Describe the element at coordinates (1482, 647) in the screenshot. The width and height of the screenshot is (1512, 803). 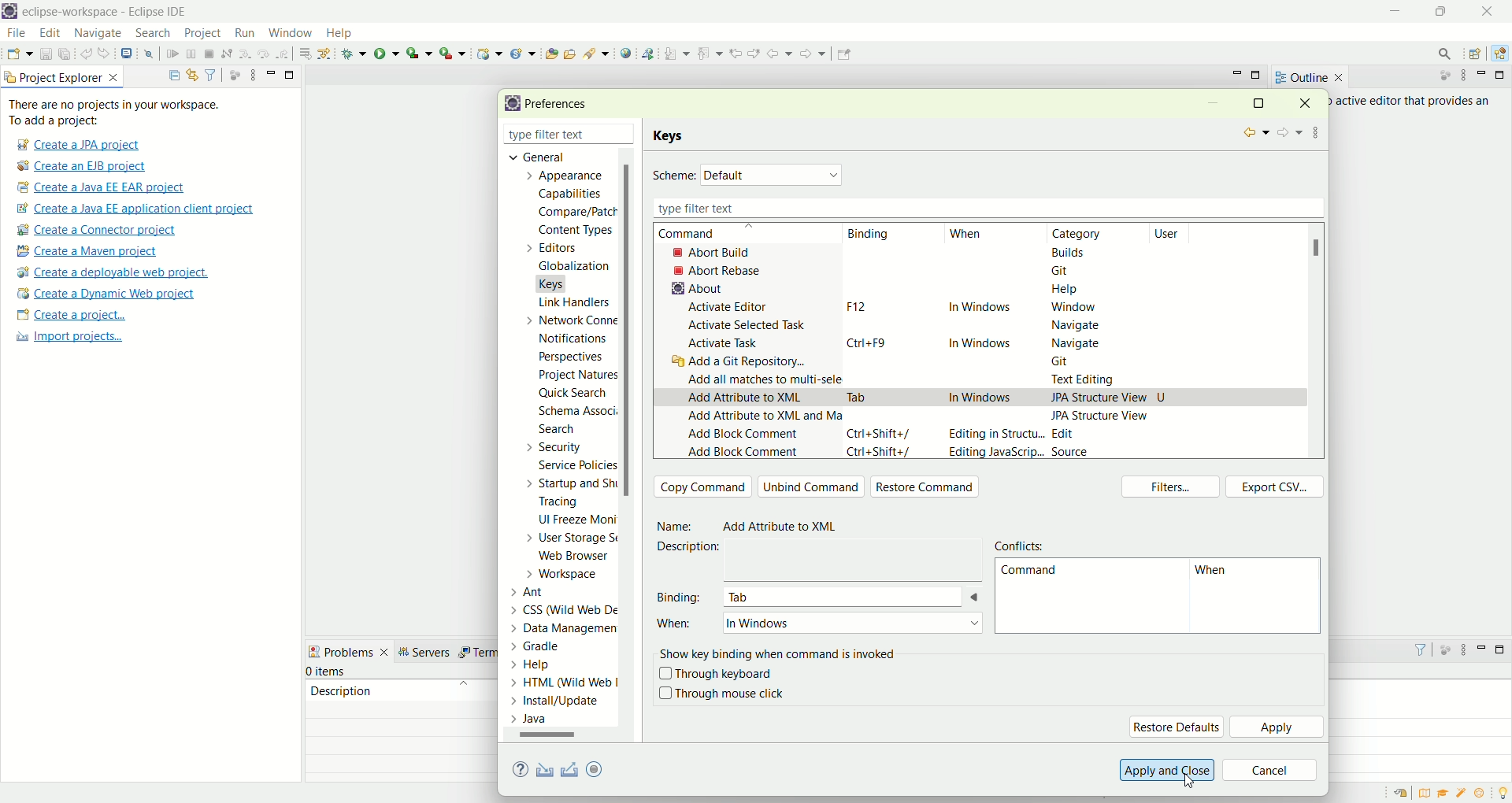
I see `minimize` at that location.